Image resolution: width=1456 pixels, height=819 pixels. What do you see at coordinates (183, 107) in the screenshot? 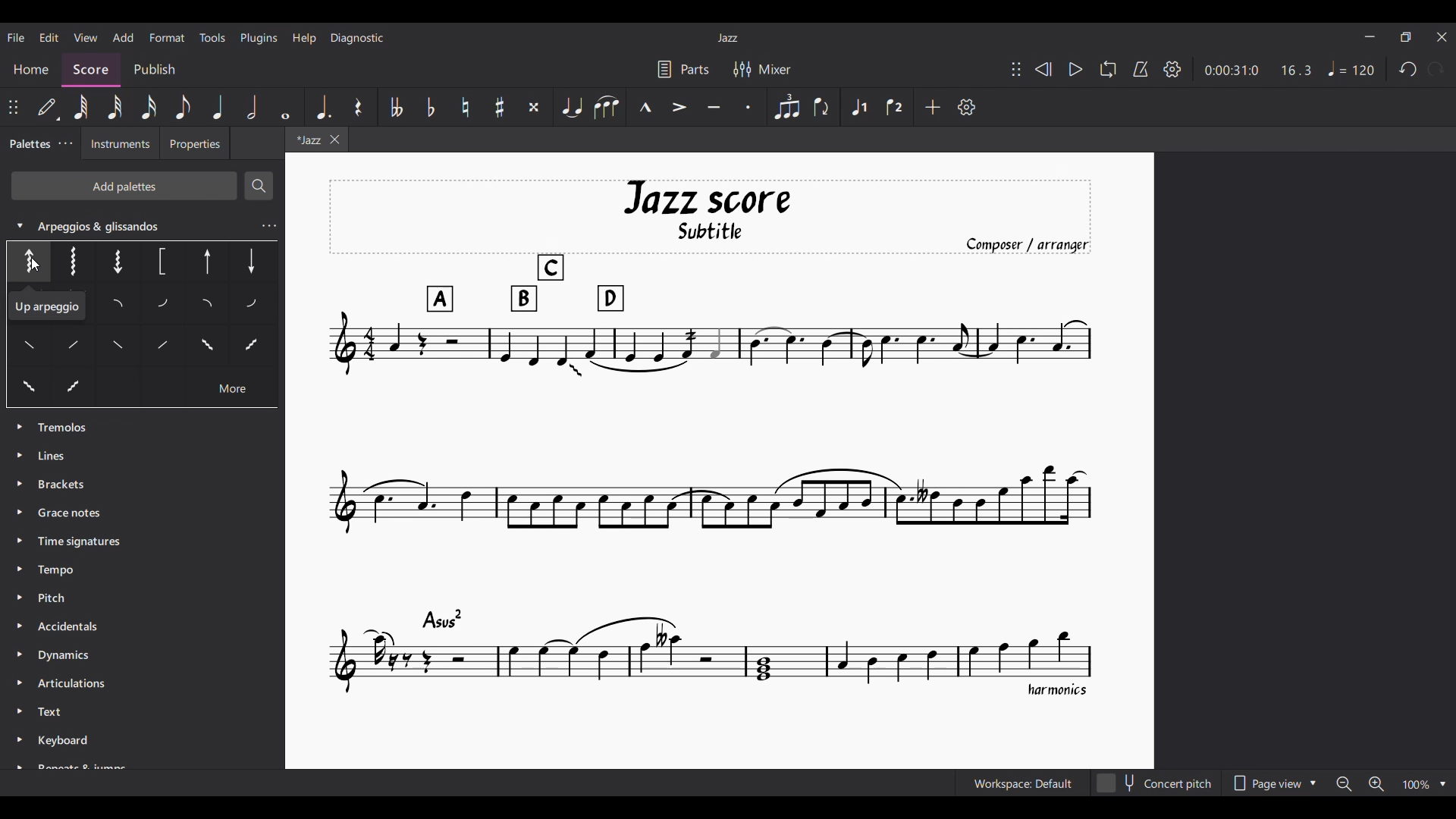
I see `8th note` at bounding box center [183, 107].